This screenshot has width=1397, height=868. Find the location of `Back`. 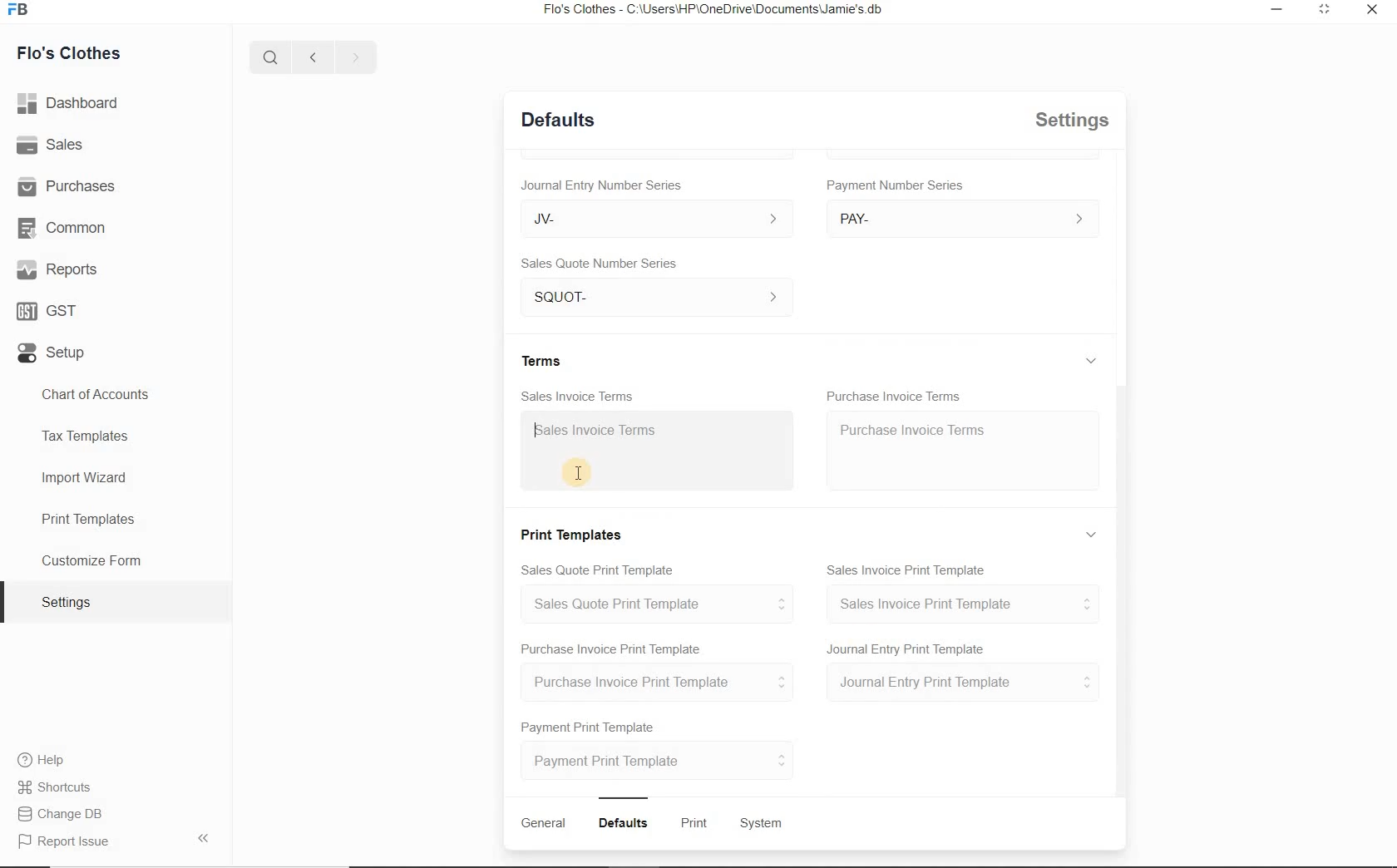

Back is located at coordinates (312, 56).